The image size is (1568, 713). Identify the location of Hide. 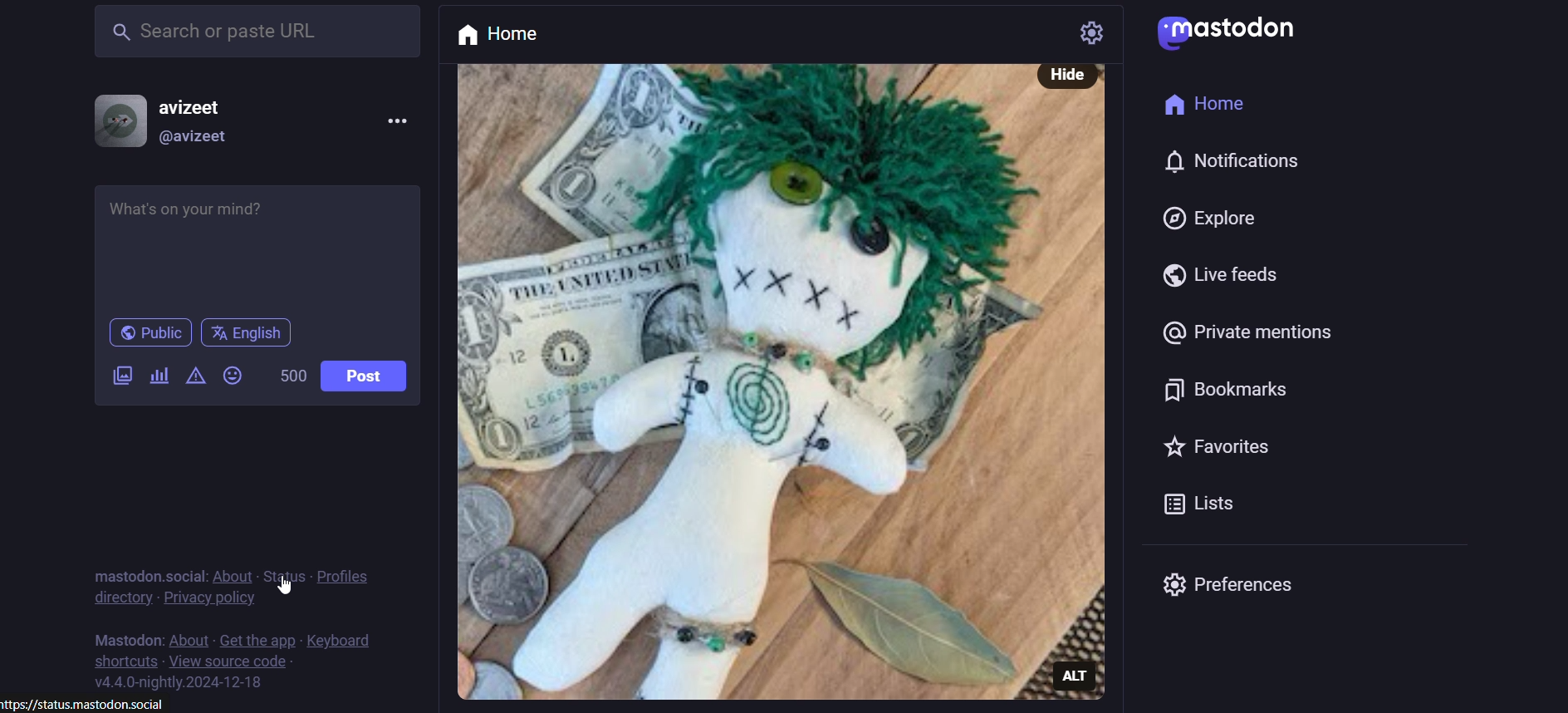
(1061, 73).